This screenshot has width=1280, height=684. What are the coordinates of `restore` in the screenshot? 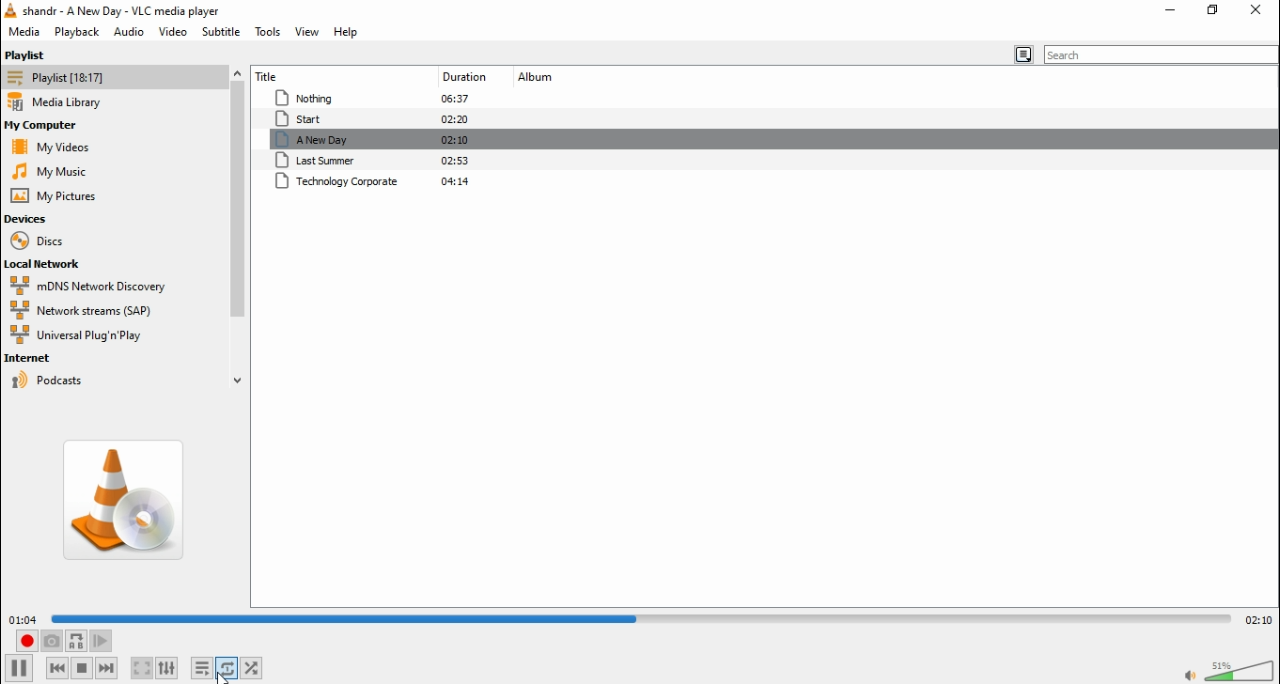 It's located at (1210, 10).